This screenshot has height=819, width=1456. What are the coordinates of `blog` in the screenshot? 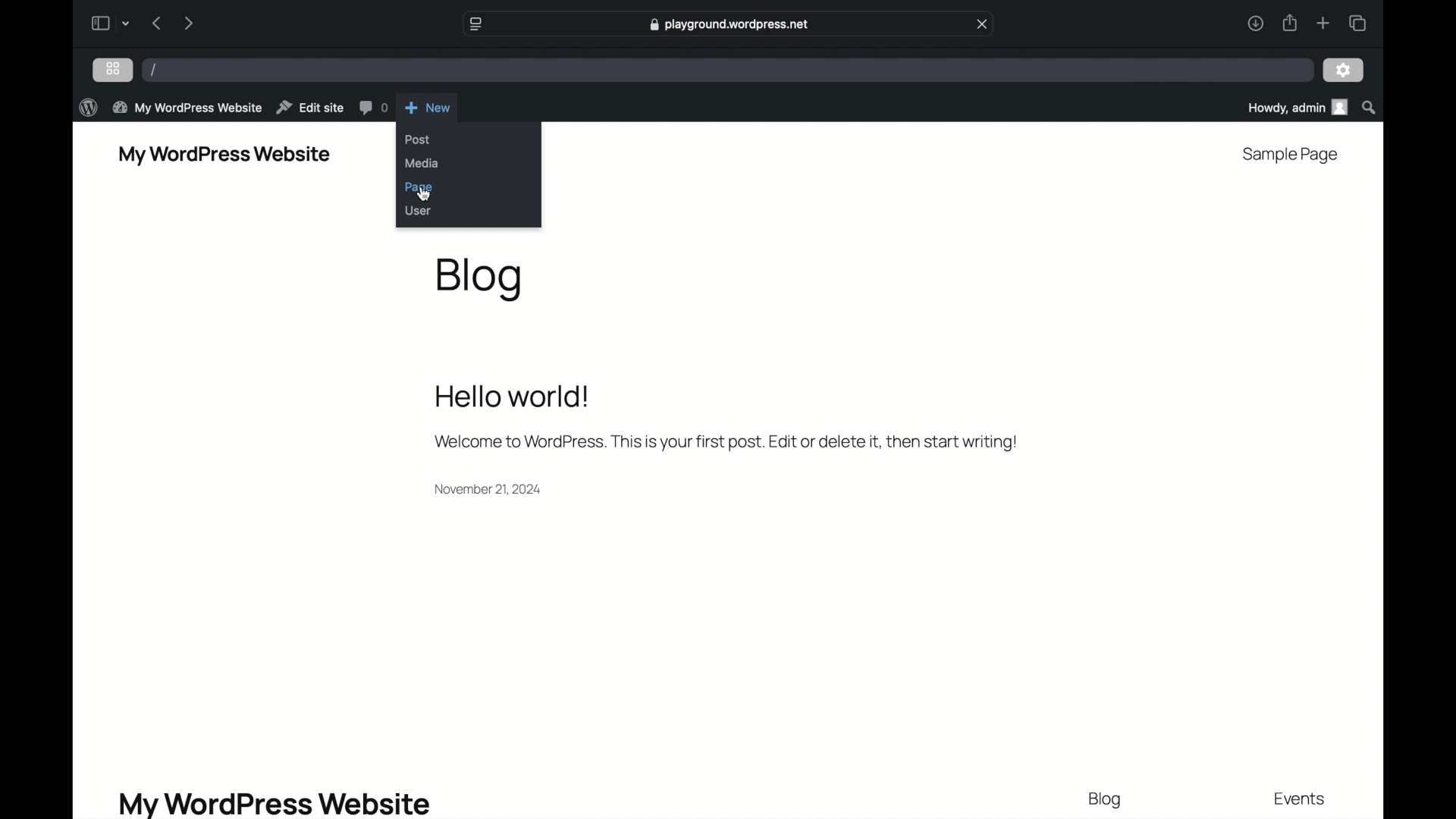 It's located at (1106, 800).